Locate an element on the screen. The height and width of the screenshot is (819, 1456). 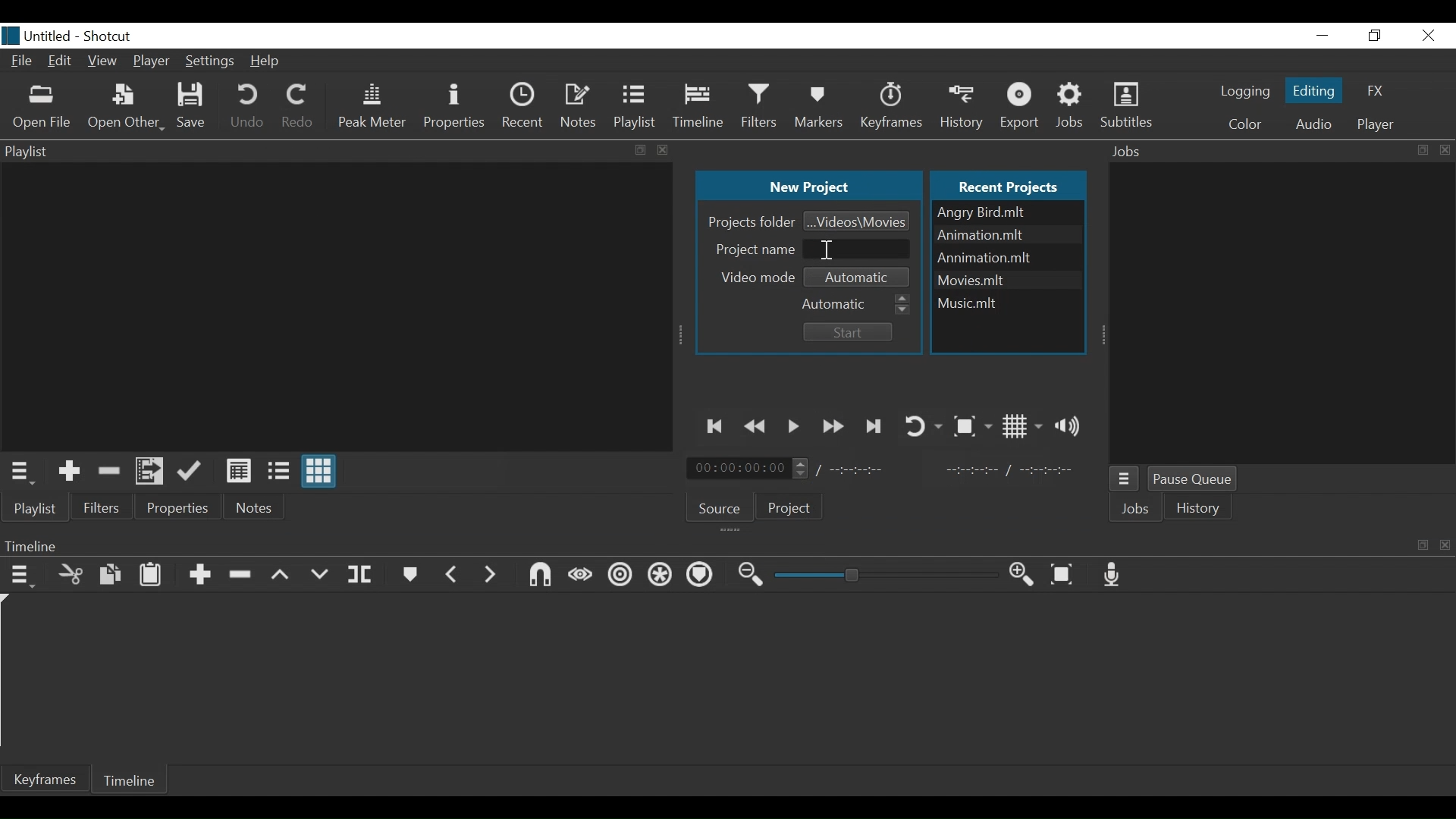
Toggle play or pause (space) is located at coordinates (794, 427).